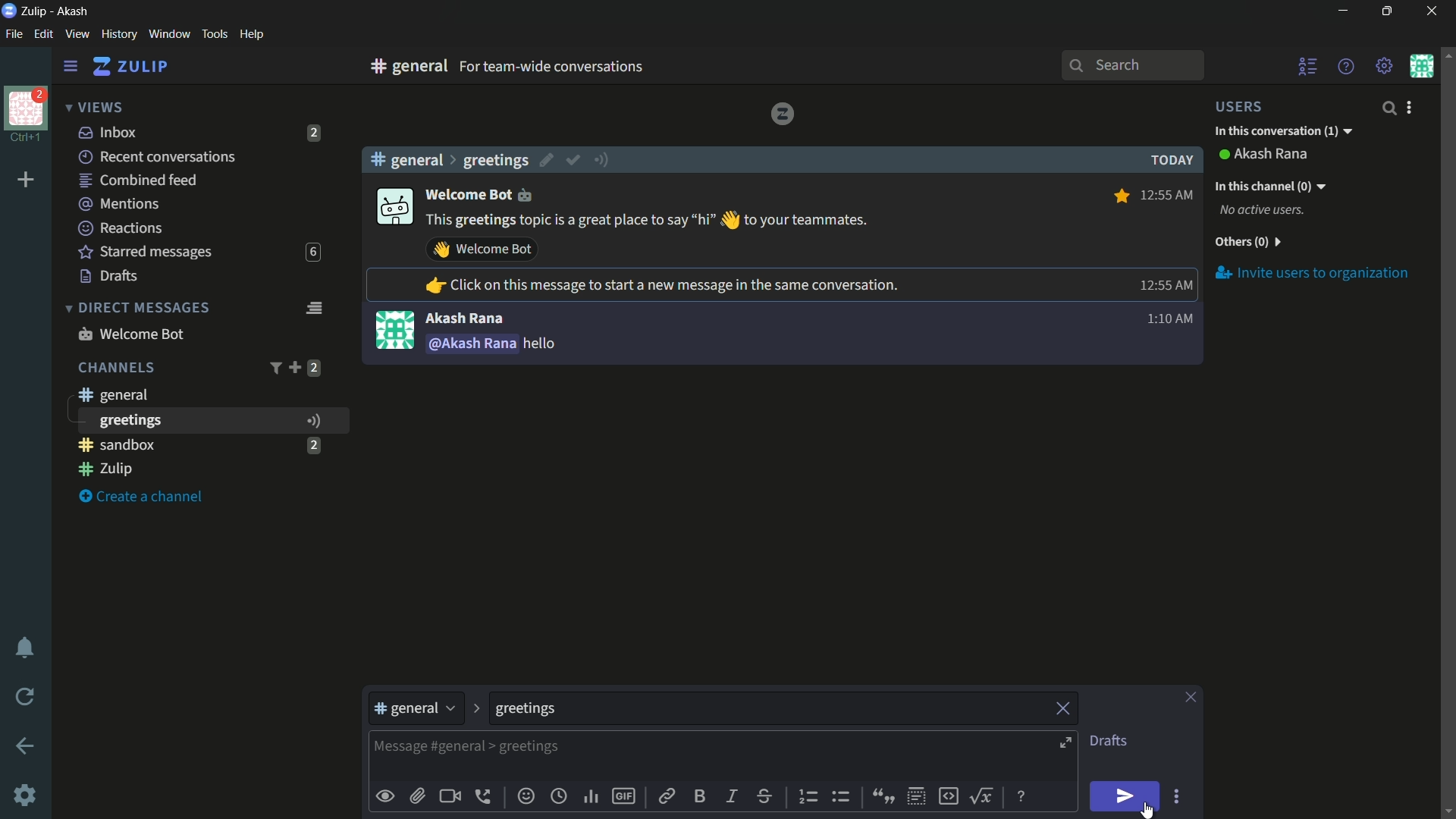 This screenshot has height=819, width=1456. What do you see at coordinates (495, 160) in the screenshot?
I see `greetings` at bounding box center [495, 160].